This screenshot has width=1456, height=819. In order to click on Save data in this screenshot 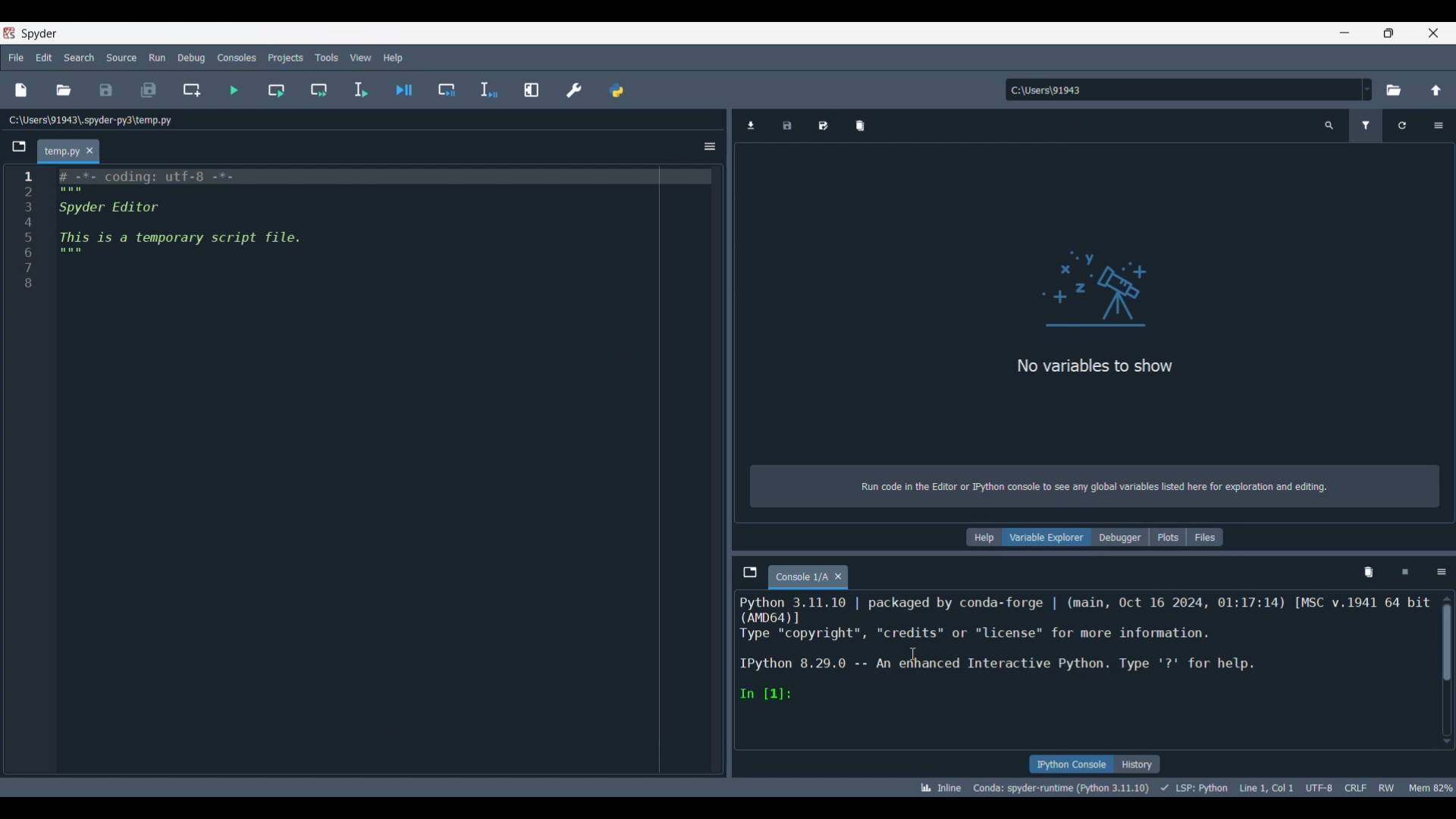, I will do `click(787, 126)`.